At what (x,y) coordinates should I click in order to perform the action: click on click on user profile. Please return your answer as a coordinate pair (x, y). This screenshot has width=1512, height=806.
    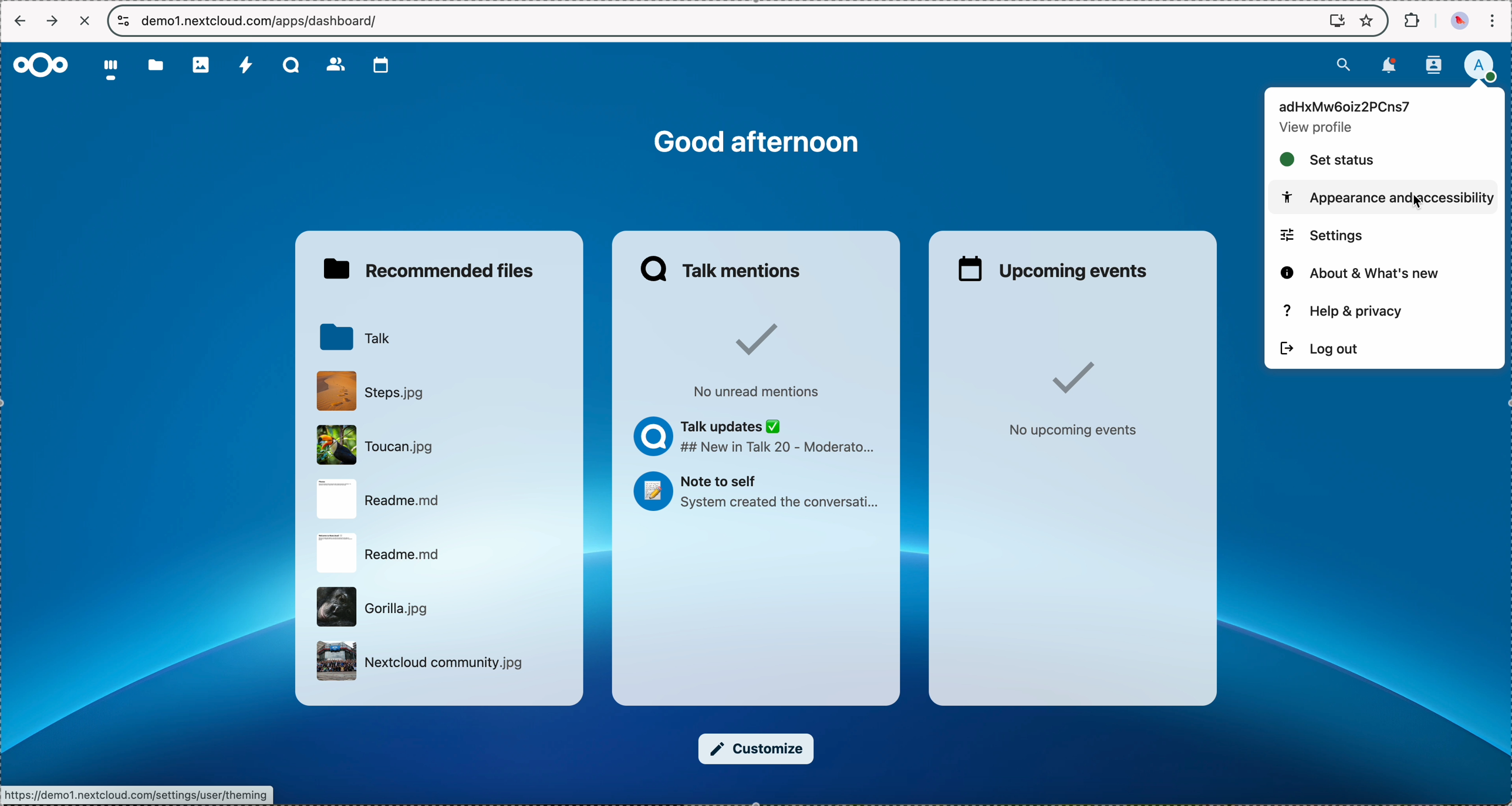
    Looking at the image, I should click on (1479, 67).